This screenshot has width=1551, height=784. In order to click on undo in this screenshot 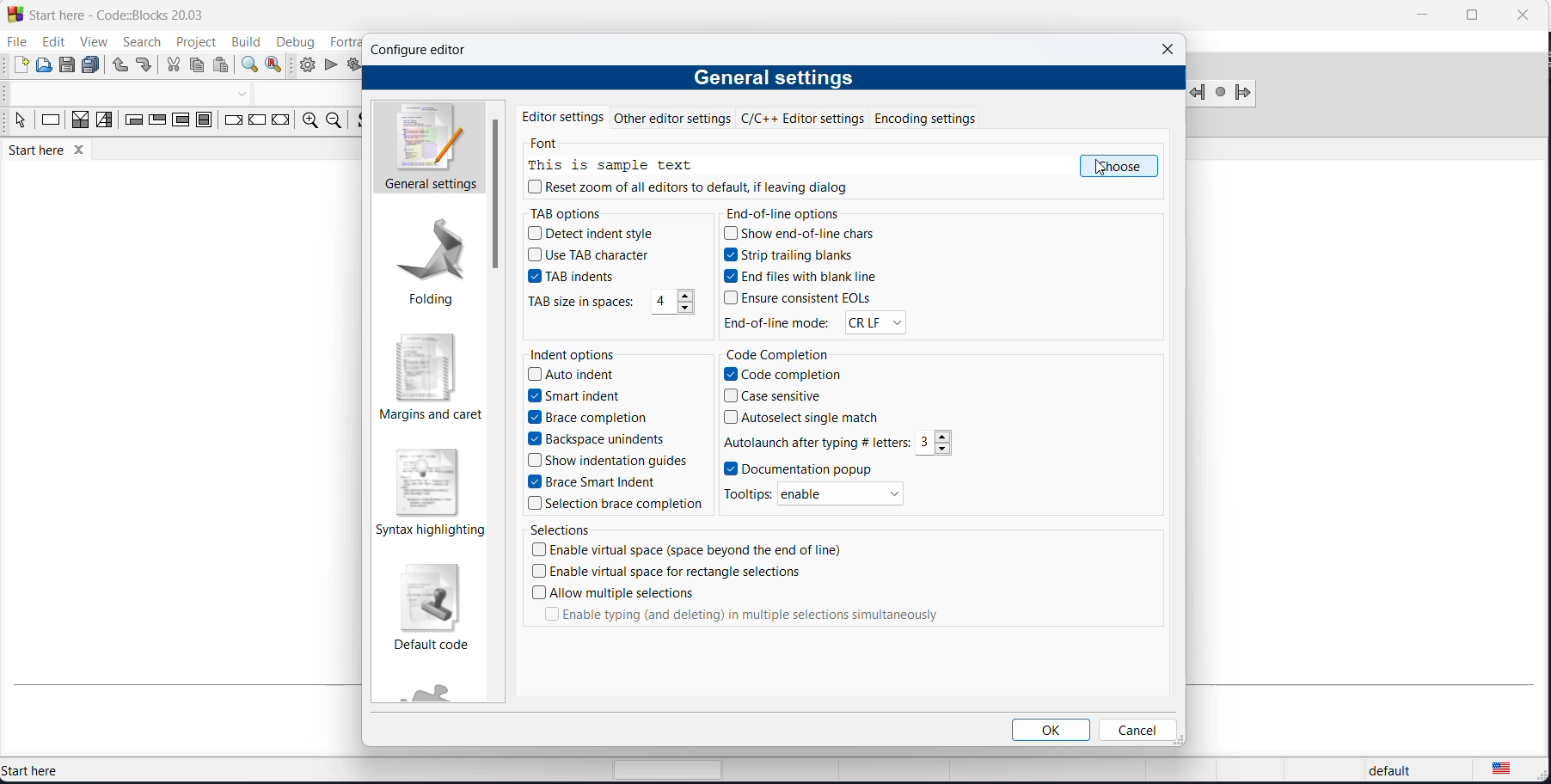, I will do `click(119, 66)`.